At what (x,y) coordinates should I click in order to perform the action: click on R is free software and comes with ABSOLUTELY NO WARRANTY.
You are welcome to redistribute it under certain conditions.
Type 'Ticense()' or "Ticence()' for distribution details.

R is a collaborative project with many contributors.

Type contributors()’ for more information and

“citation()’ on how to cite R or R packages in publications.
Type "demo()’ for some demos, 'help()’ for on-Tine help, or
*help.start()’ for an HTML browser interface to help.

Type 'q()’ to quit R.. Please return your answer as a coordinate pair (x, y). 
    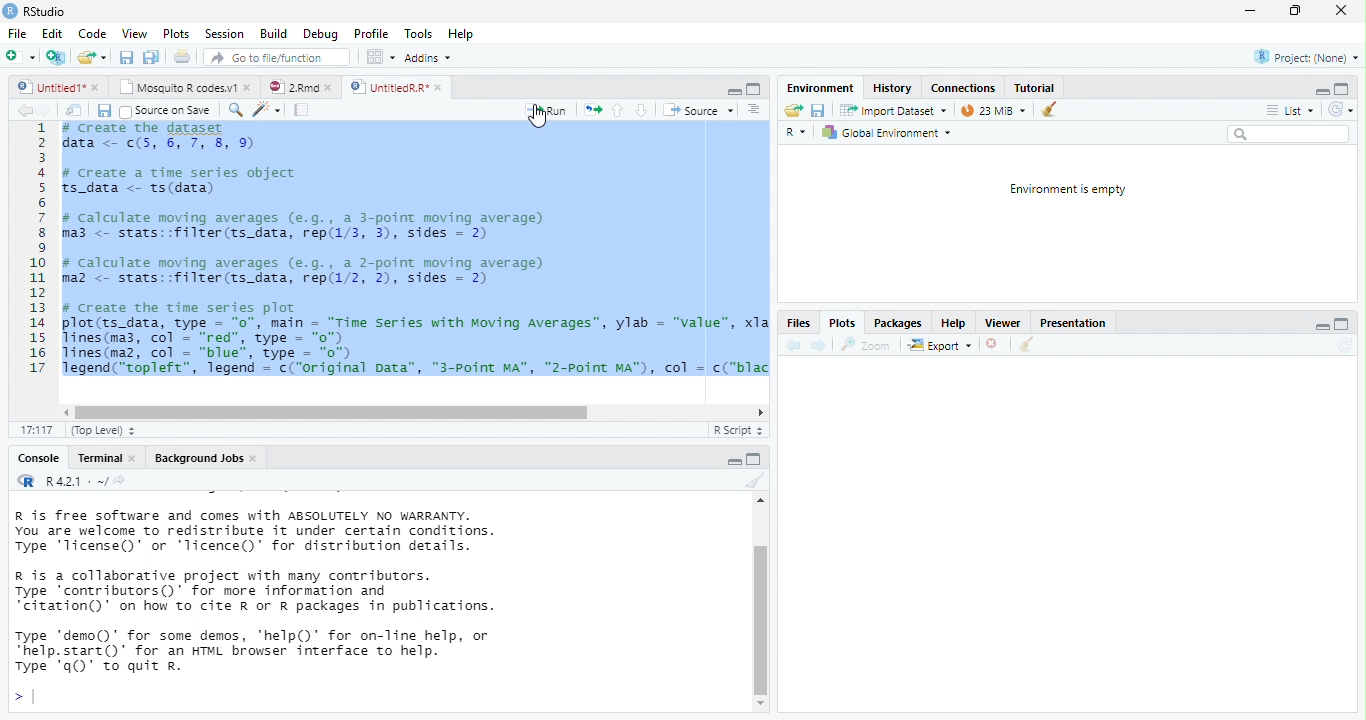
    Looking at the image, I should click on (340, 591).